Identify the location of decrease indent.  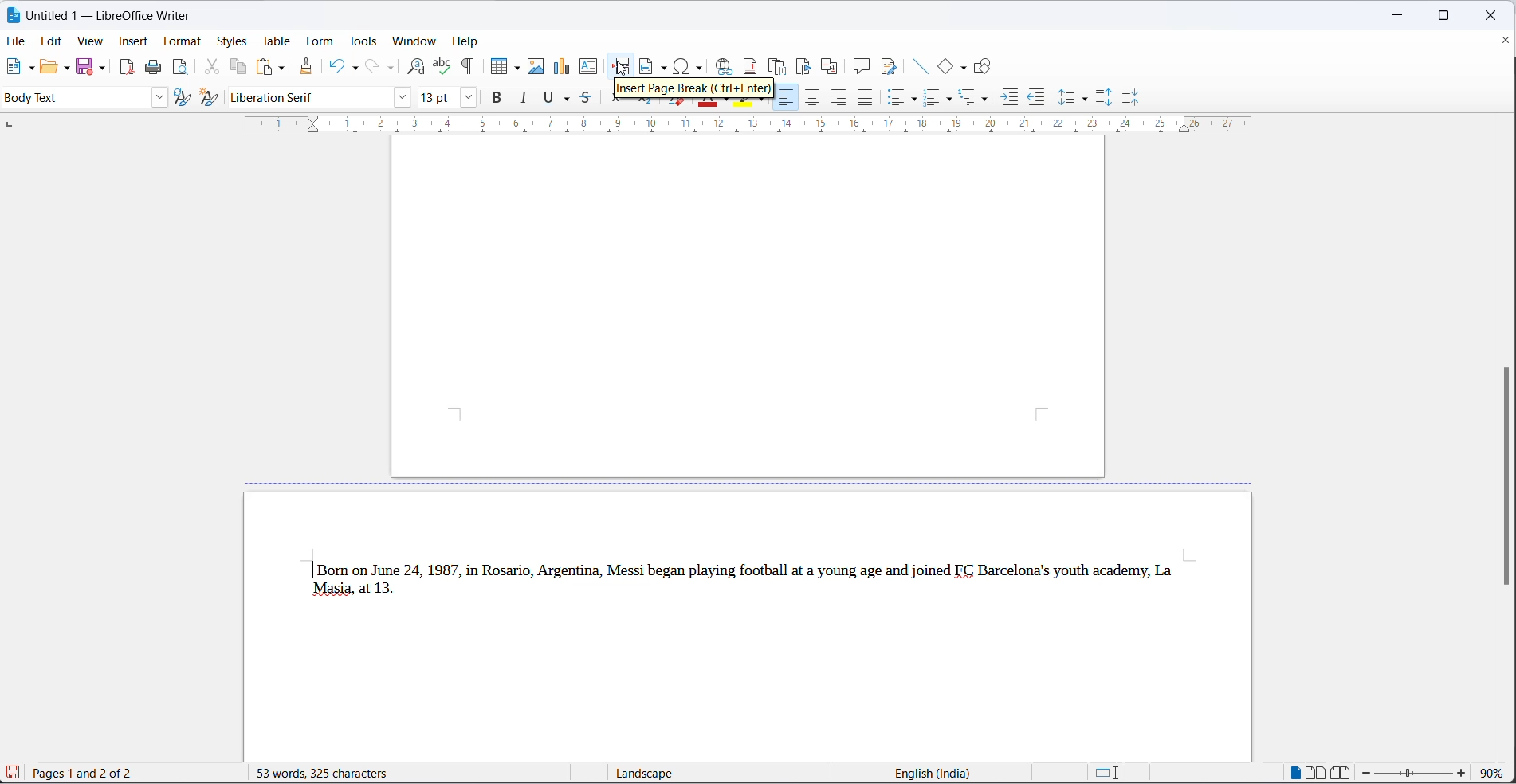
(1035, 97).